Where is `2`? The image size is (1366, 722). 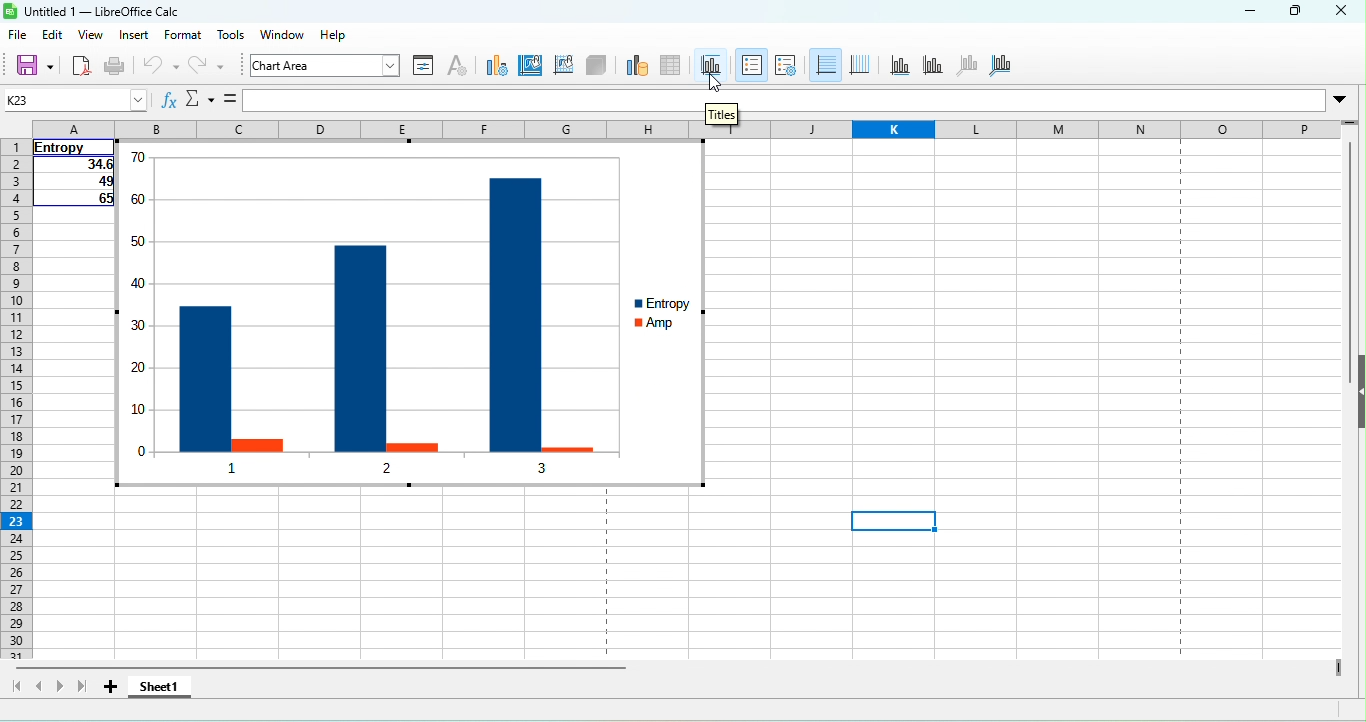 2 is located at coordinates (381, 472).